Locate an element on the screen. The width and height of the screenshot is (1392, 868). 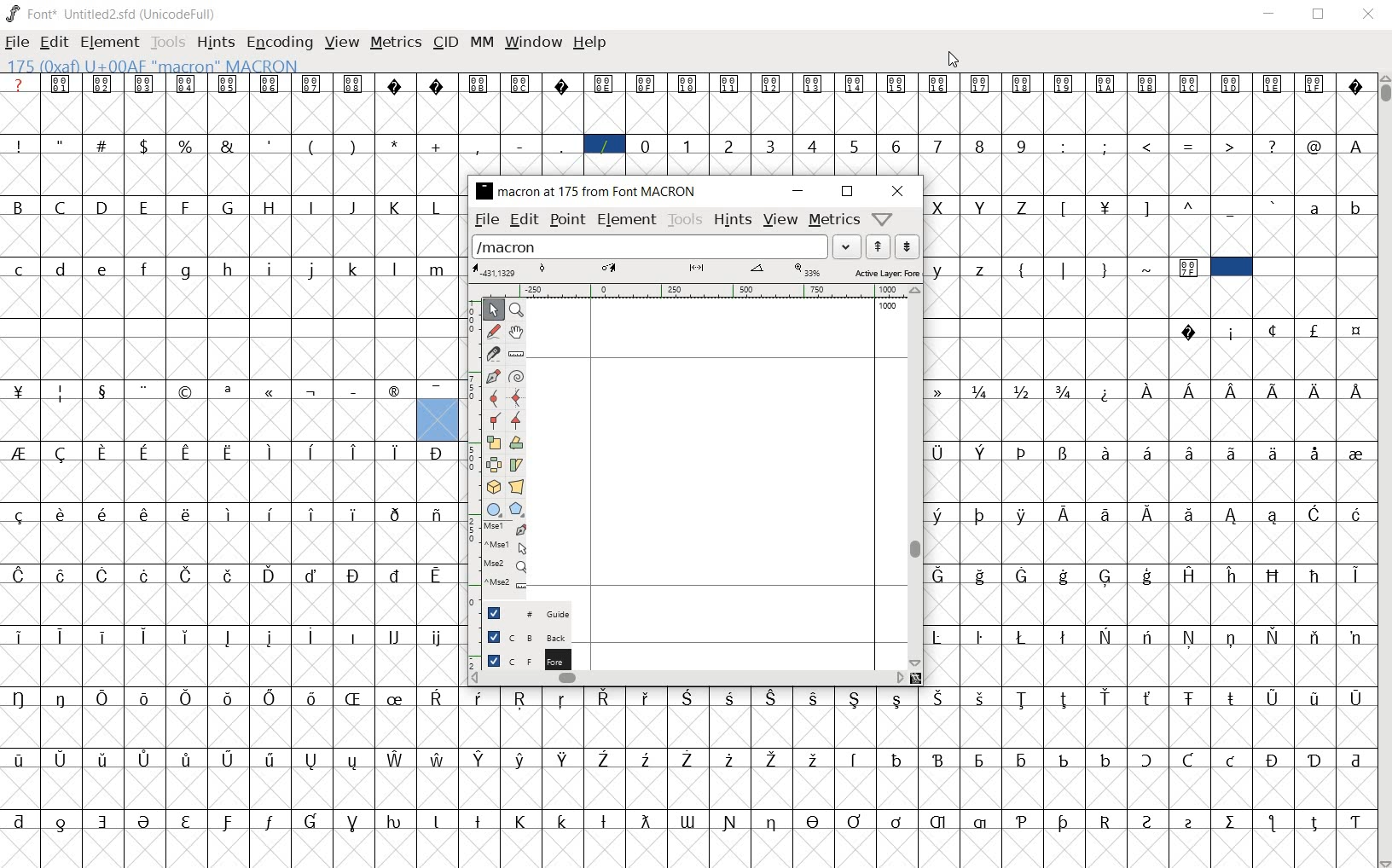
Symbol is located at coordinates (1024, 698).